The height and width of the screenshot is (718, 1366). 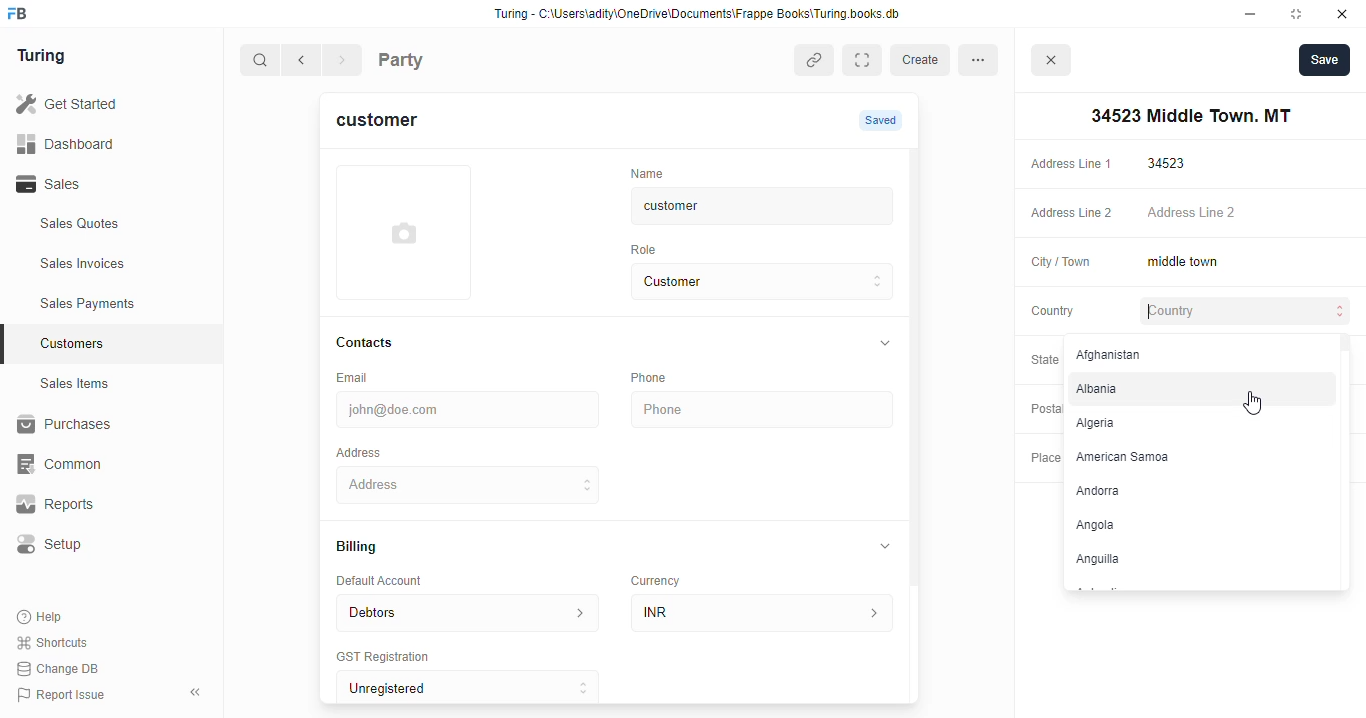 I want to click on Country, so click(x=1051, y=310).